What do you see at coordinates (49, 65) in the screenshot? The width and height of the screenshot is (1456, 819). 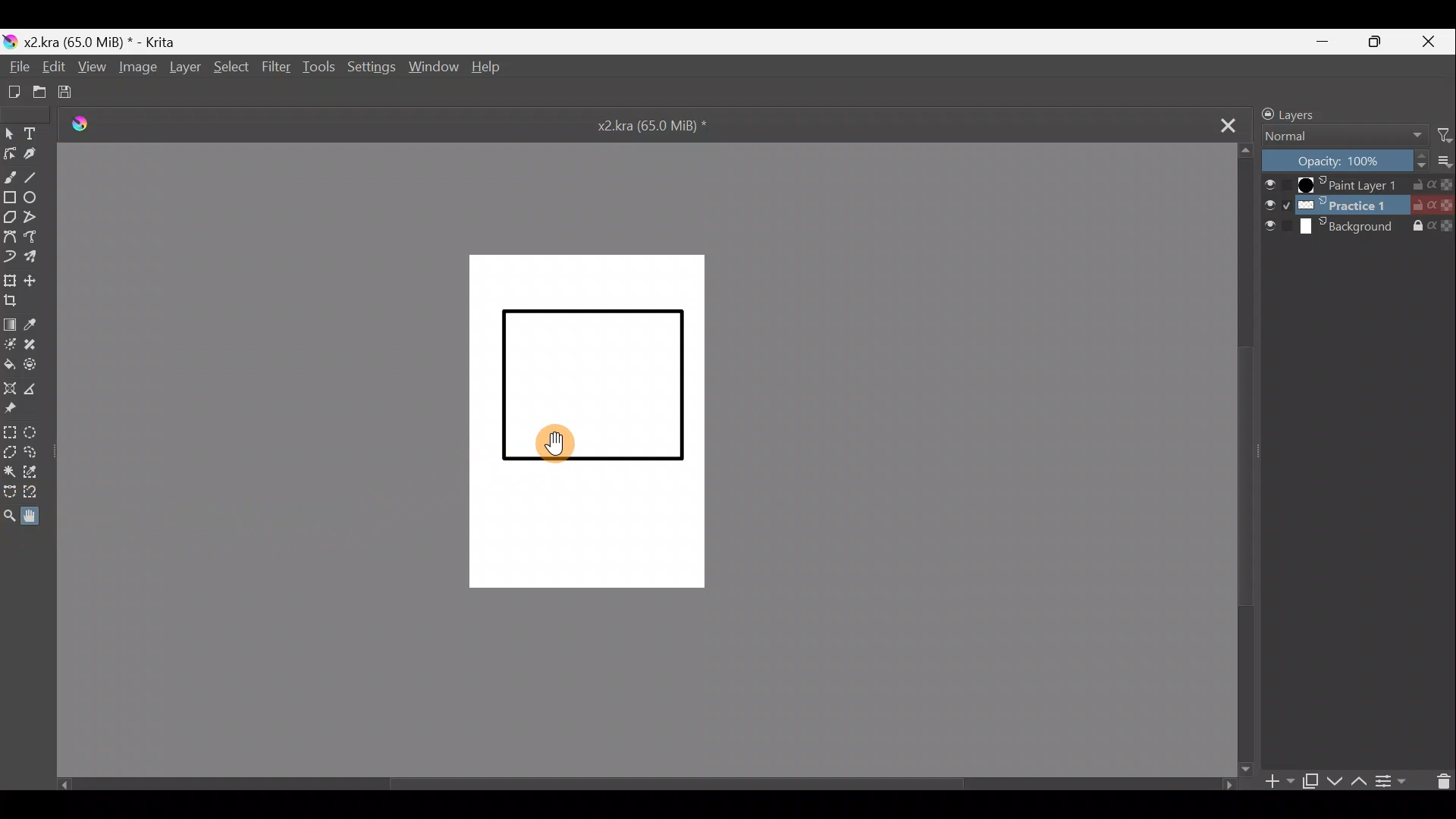 I see `Edit` at bounding box center [49, 65].